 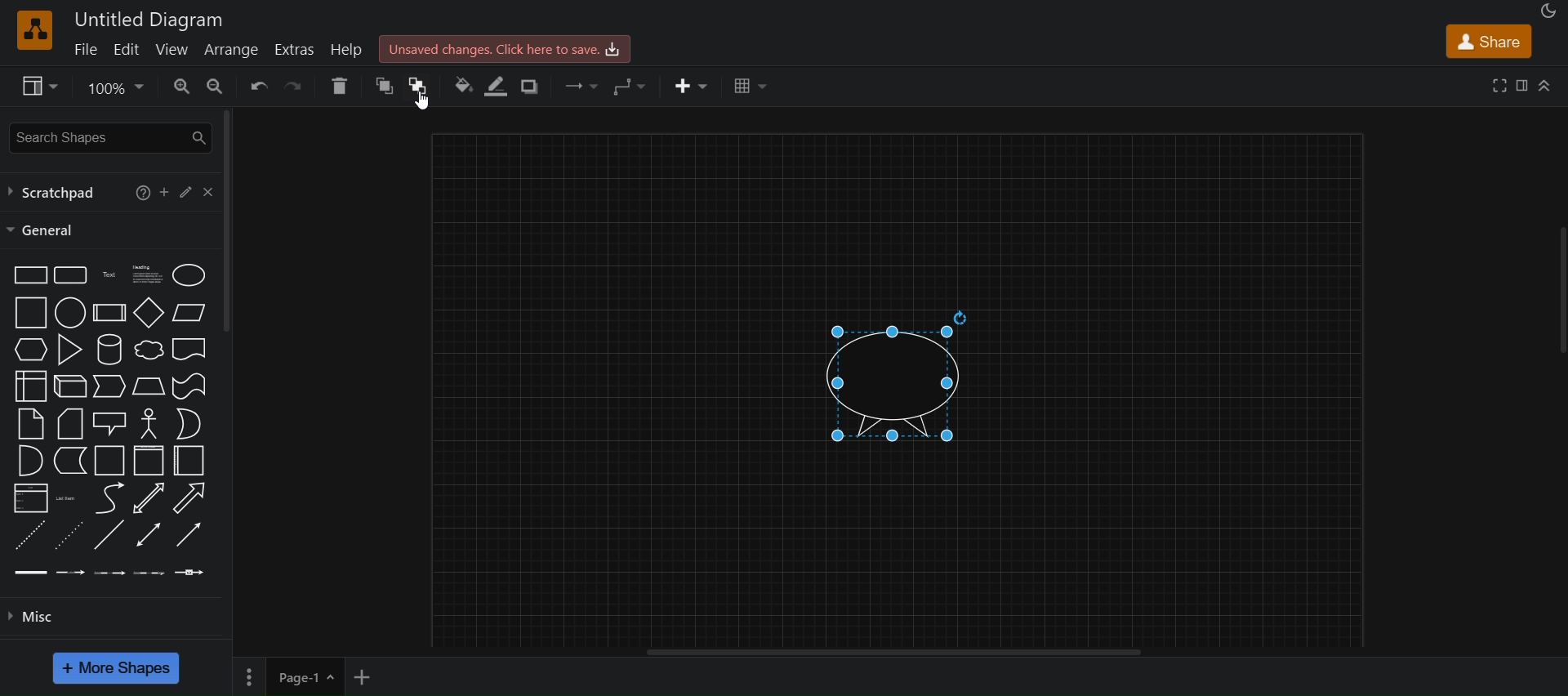 What do you see at coordinates (34, 30) in the screenshot?
I see `logo` at bounding box center [34, 30].